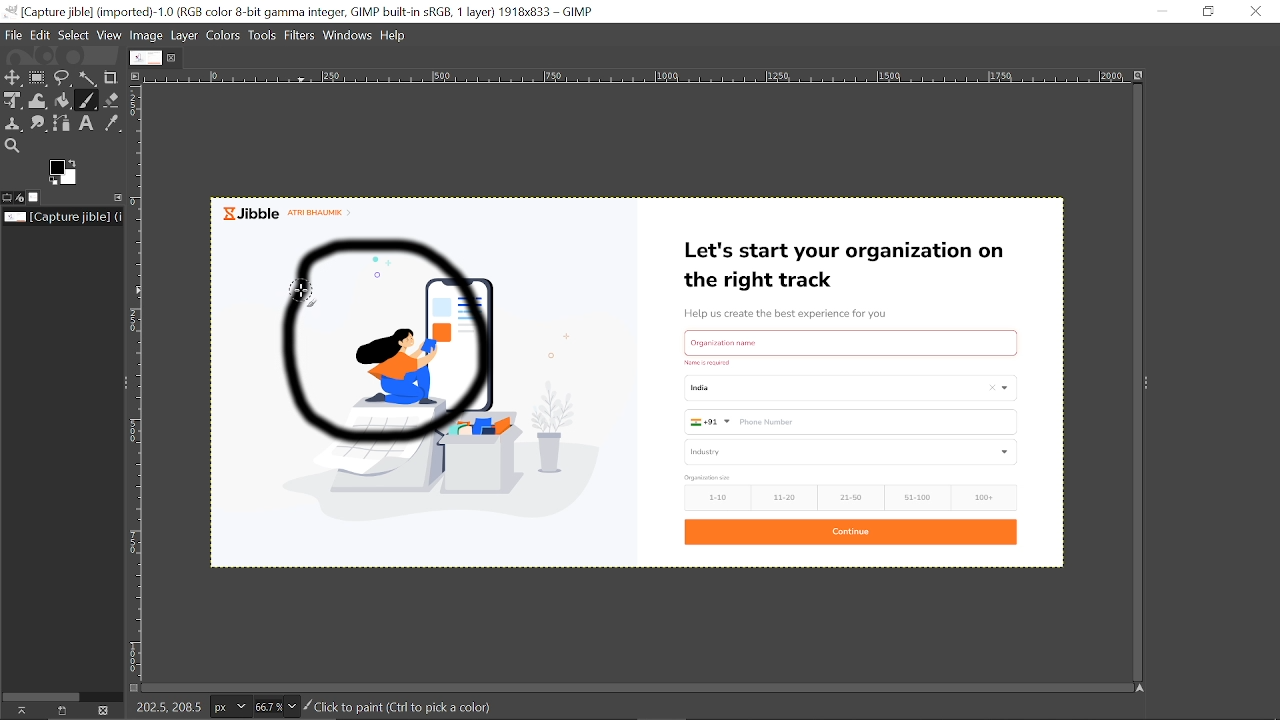  Describe the element at coordinates (87, 101) in the screenshot. I see `paintbrush tool` at that location.